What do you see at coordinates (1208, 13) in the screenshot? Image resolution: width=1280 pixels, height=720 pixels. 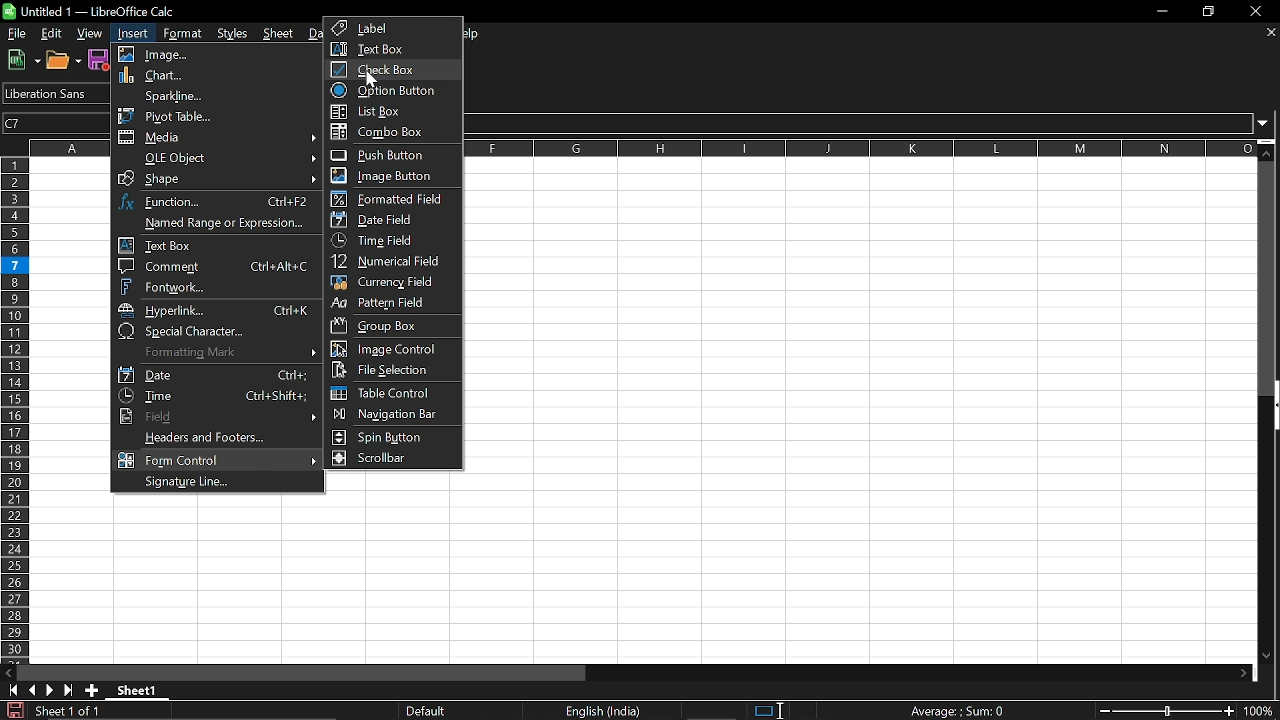 I see `Restore down` at bounding box center [1208, 13].